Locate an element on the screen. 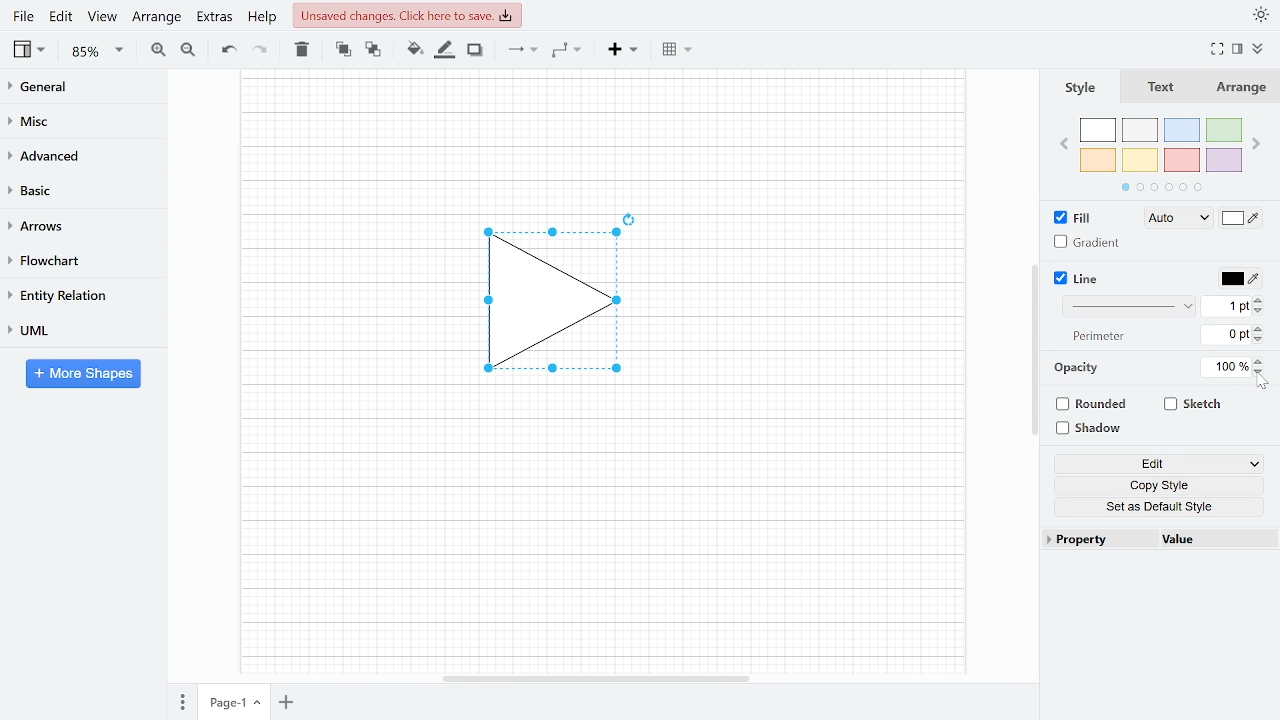 The image size is (1280, 720). To front is located at coordinates (343, 49).